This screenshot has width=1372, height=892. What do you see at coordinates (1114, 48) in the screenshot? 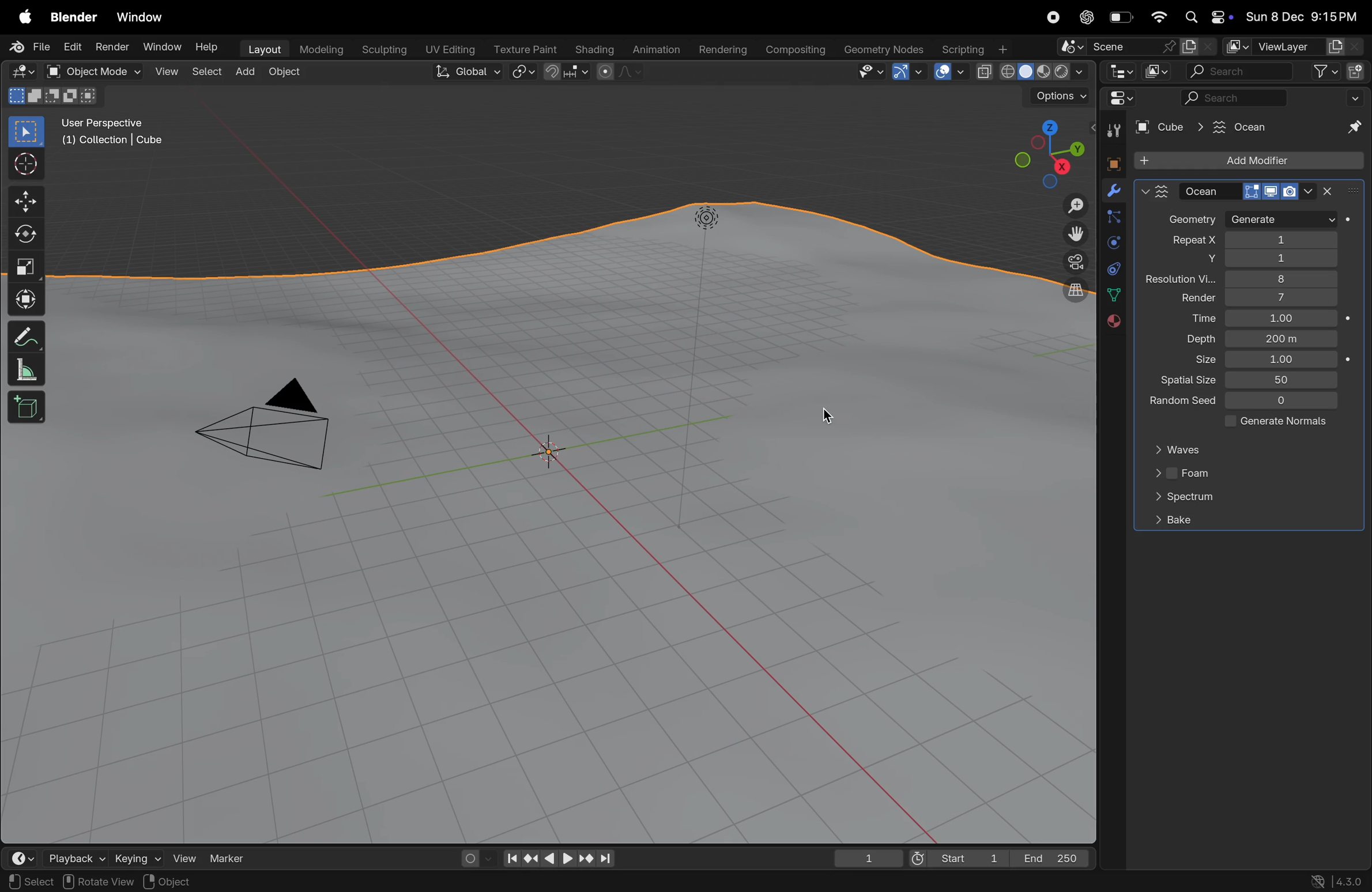
I see `pin scene` at bounding box center [1114, 48].